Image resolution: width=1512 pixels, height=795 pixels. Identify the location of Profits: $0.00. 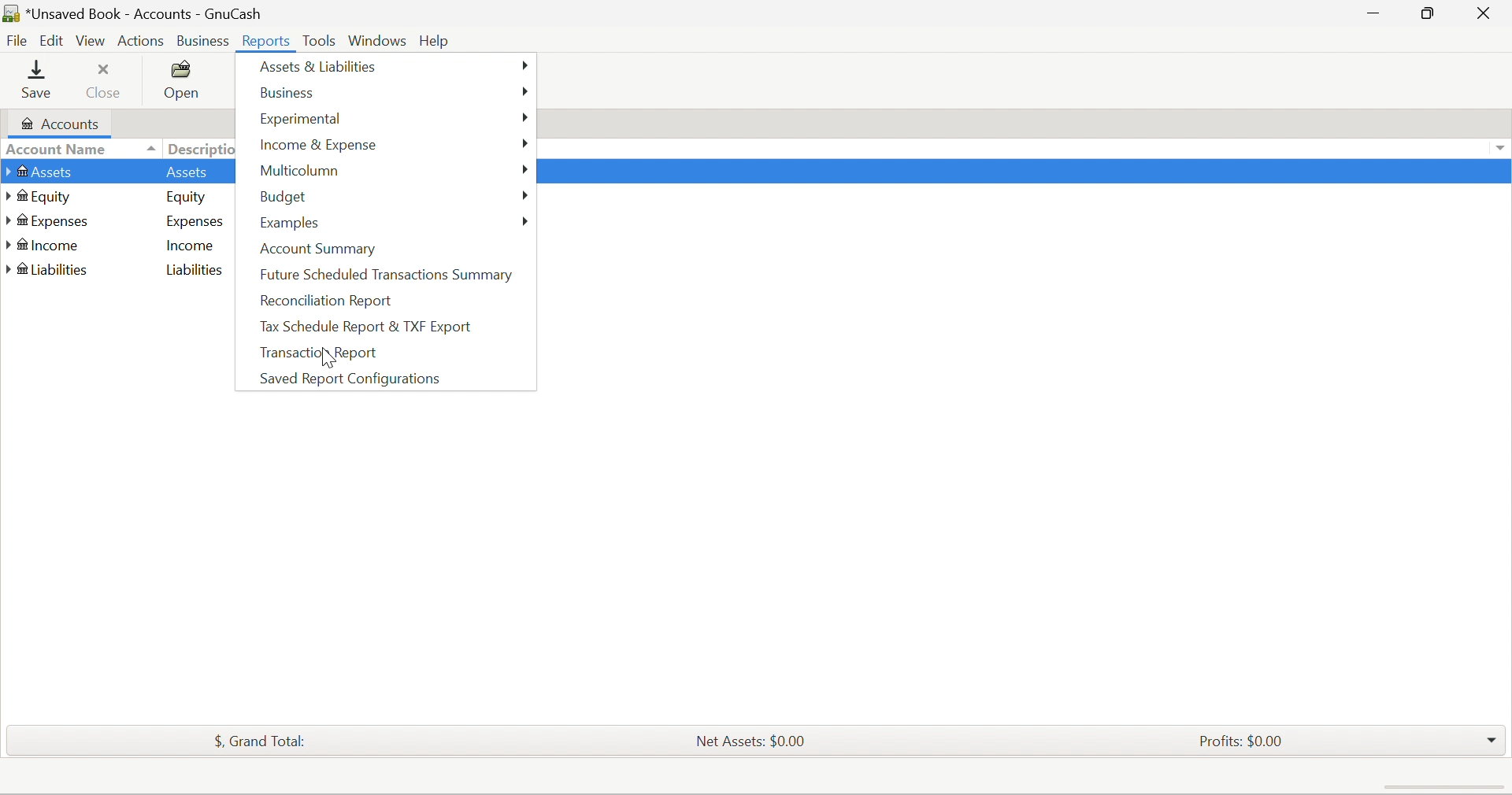
(1239, 741).